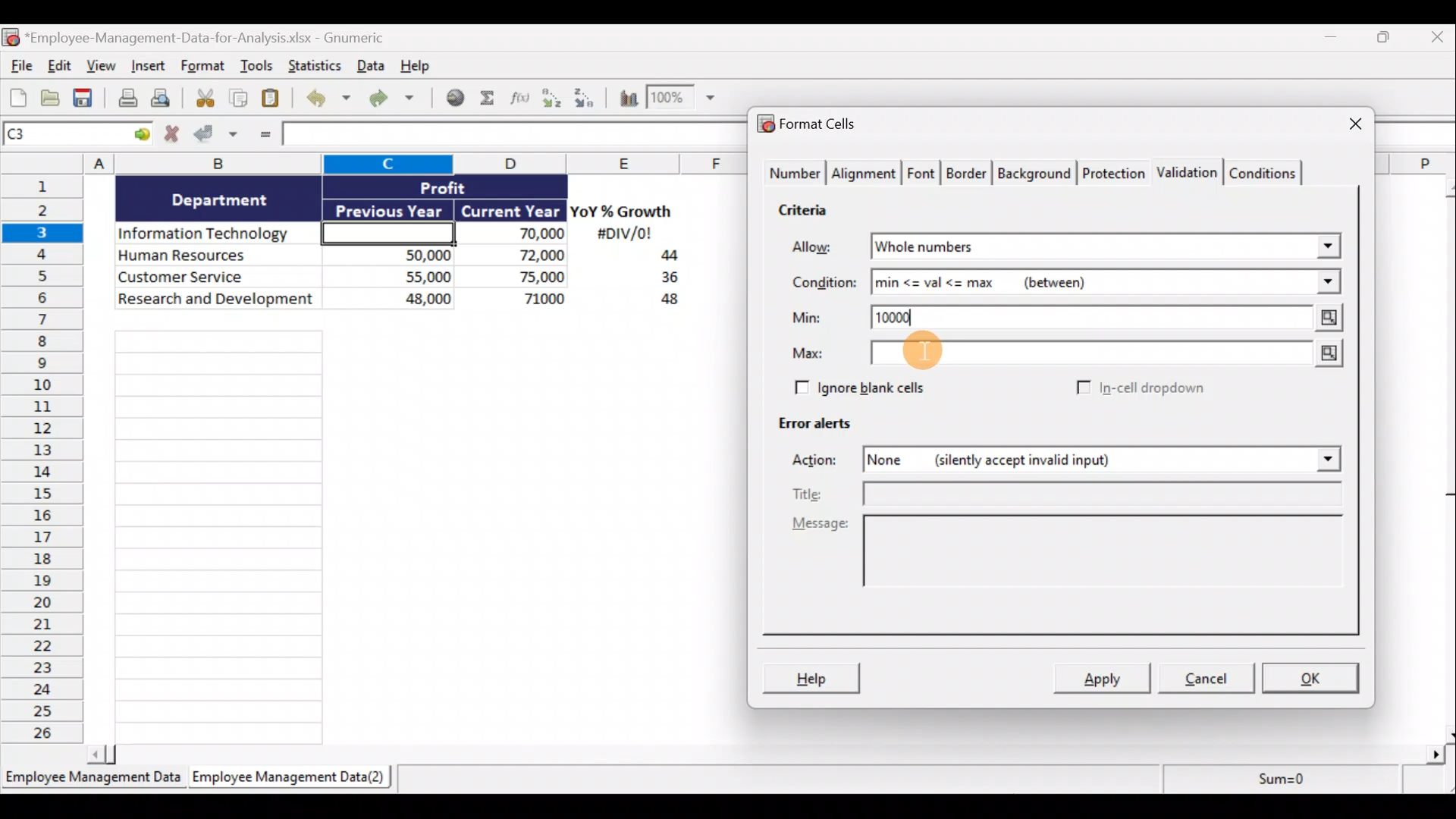  Describe the element at coordinates (286, 780) in the screenshot. I see `Employee Management Data(2)` at that location.